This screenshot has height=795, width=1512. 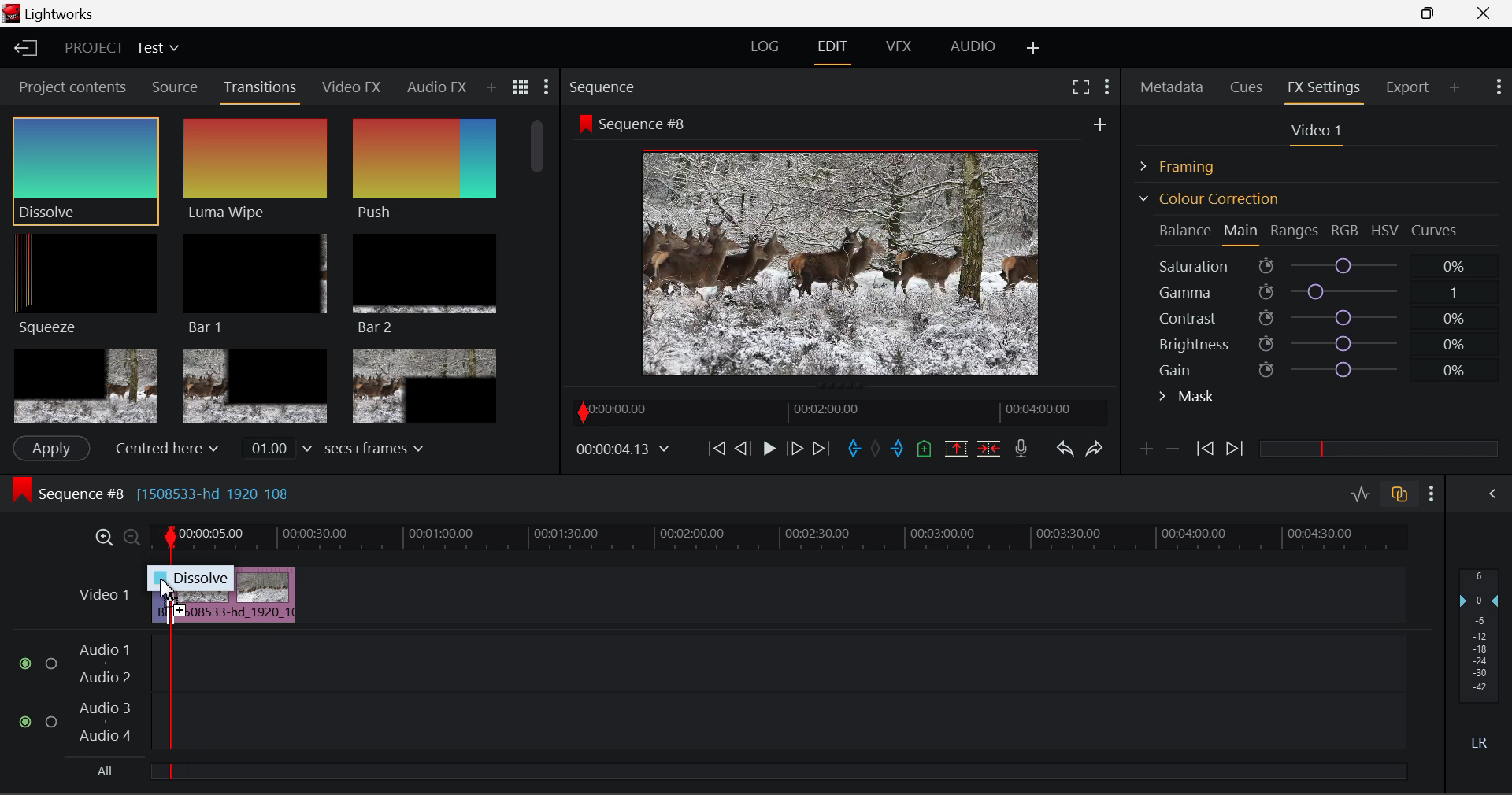 I want to click on Timeline Zoom In, so click(x=101, y=537).